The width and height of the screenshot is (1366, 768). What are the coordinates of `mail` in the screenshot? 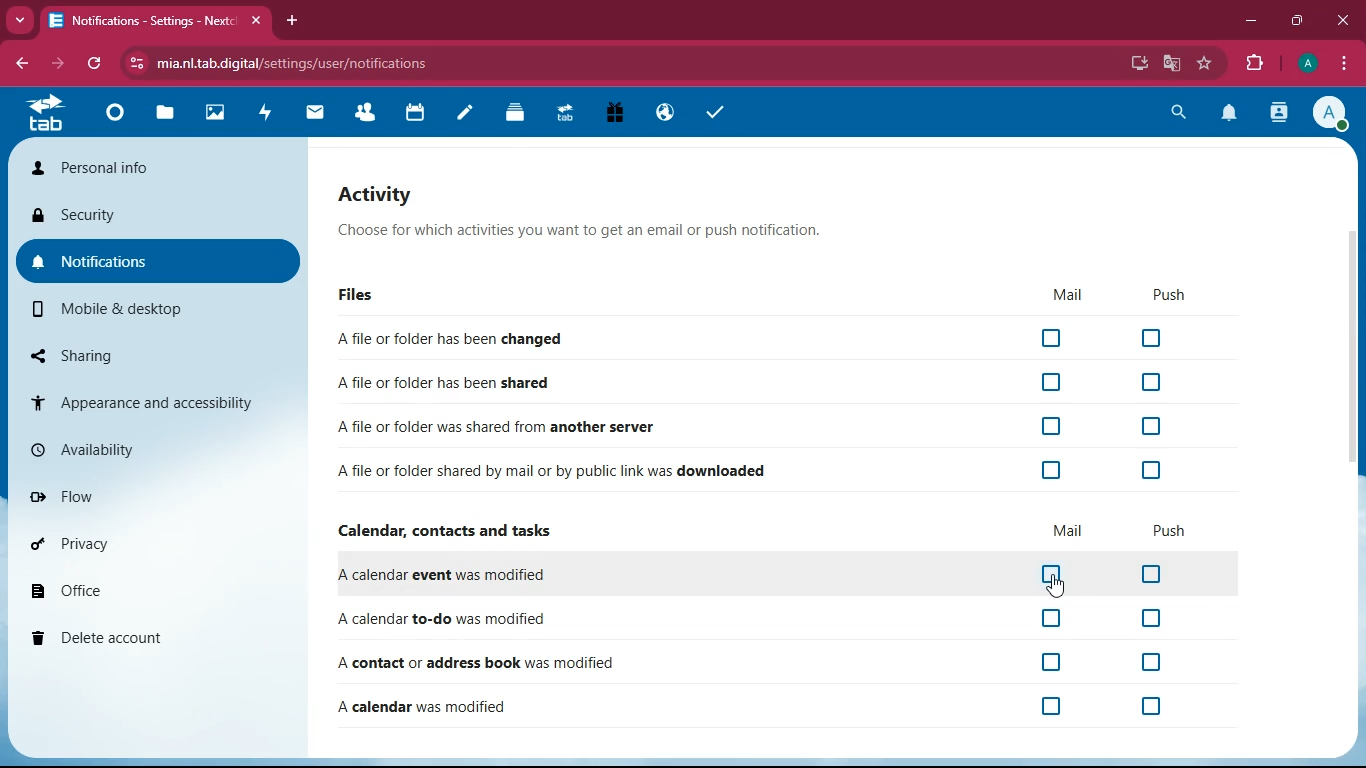 It's located at (1068, 296).